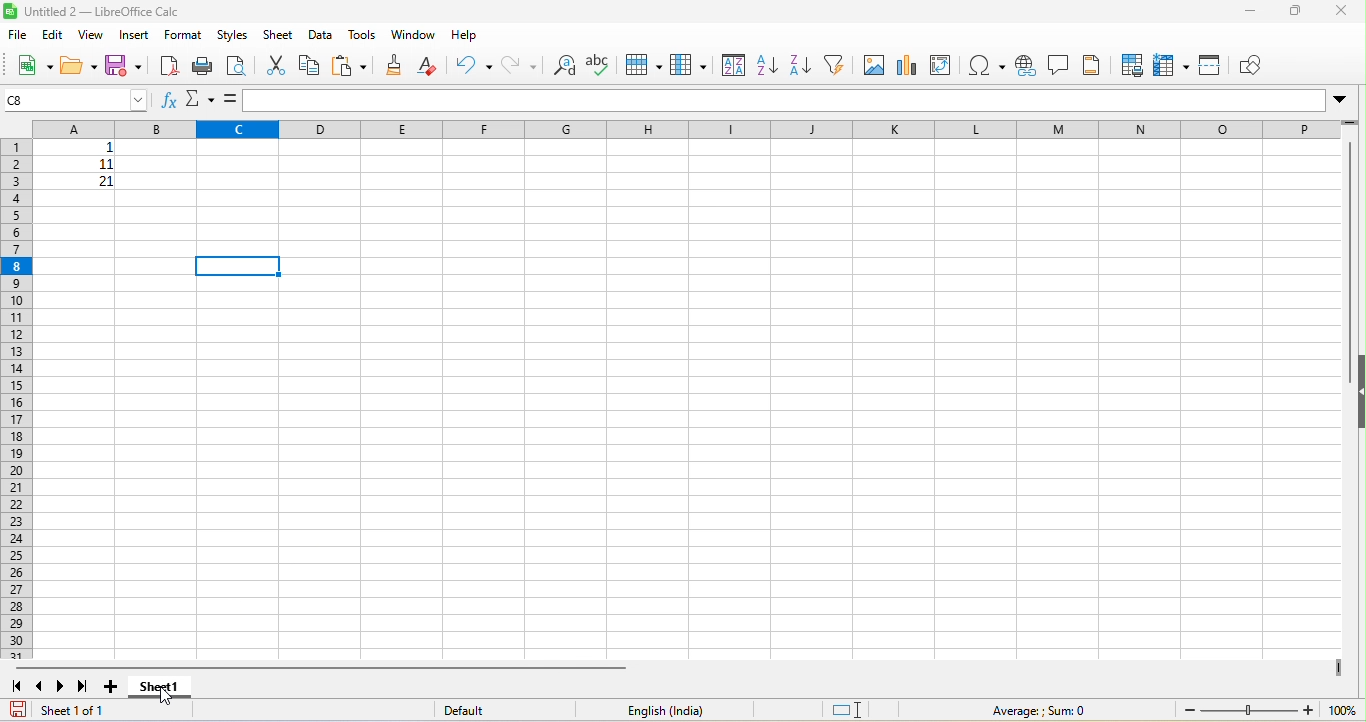 The image size is (1366, 722). Describe the element at coordinates (171, 699) in the screenshot. I see `cursor` at that location.